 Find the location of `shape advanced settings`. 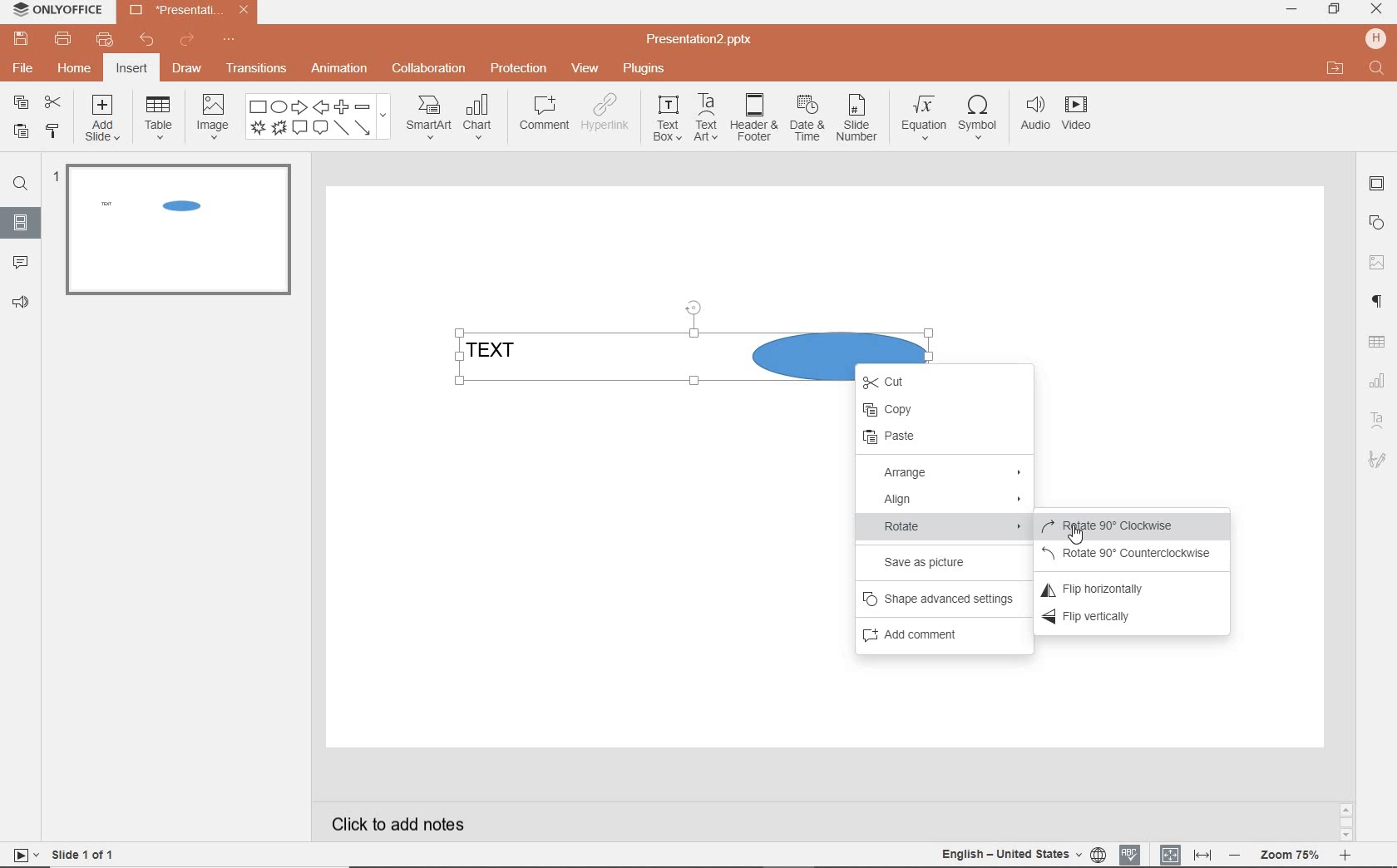

shape advanced settings is located at coordinates (939, 601).